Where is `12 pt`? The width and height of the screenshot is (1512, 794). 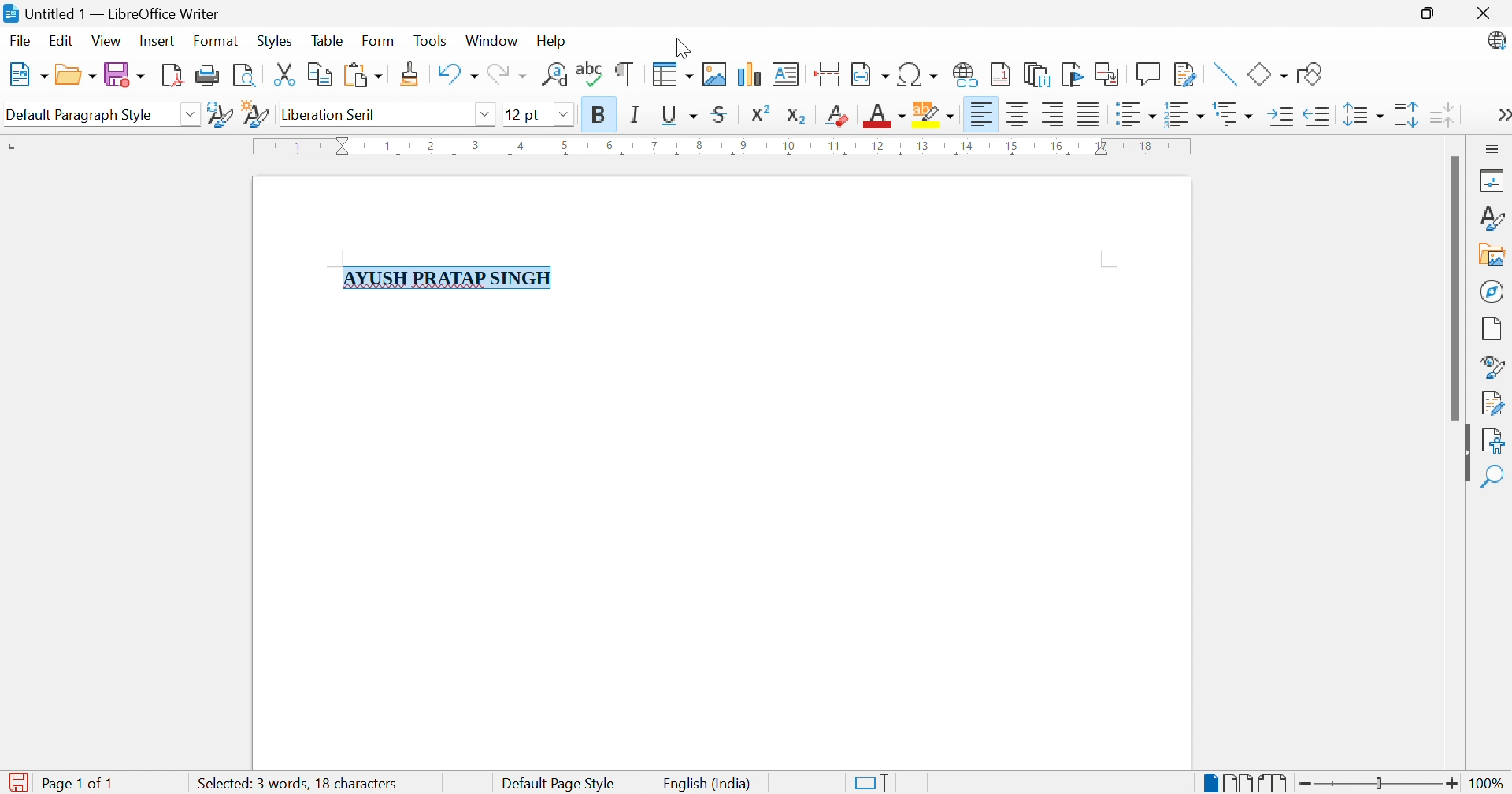
12 pt is located at coordinates (521, 113).